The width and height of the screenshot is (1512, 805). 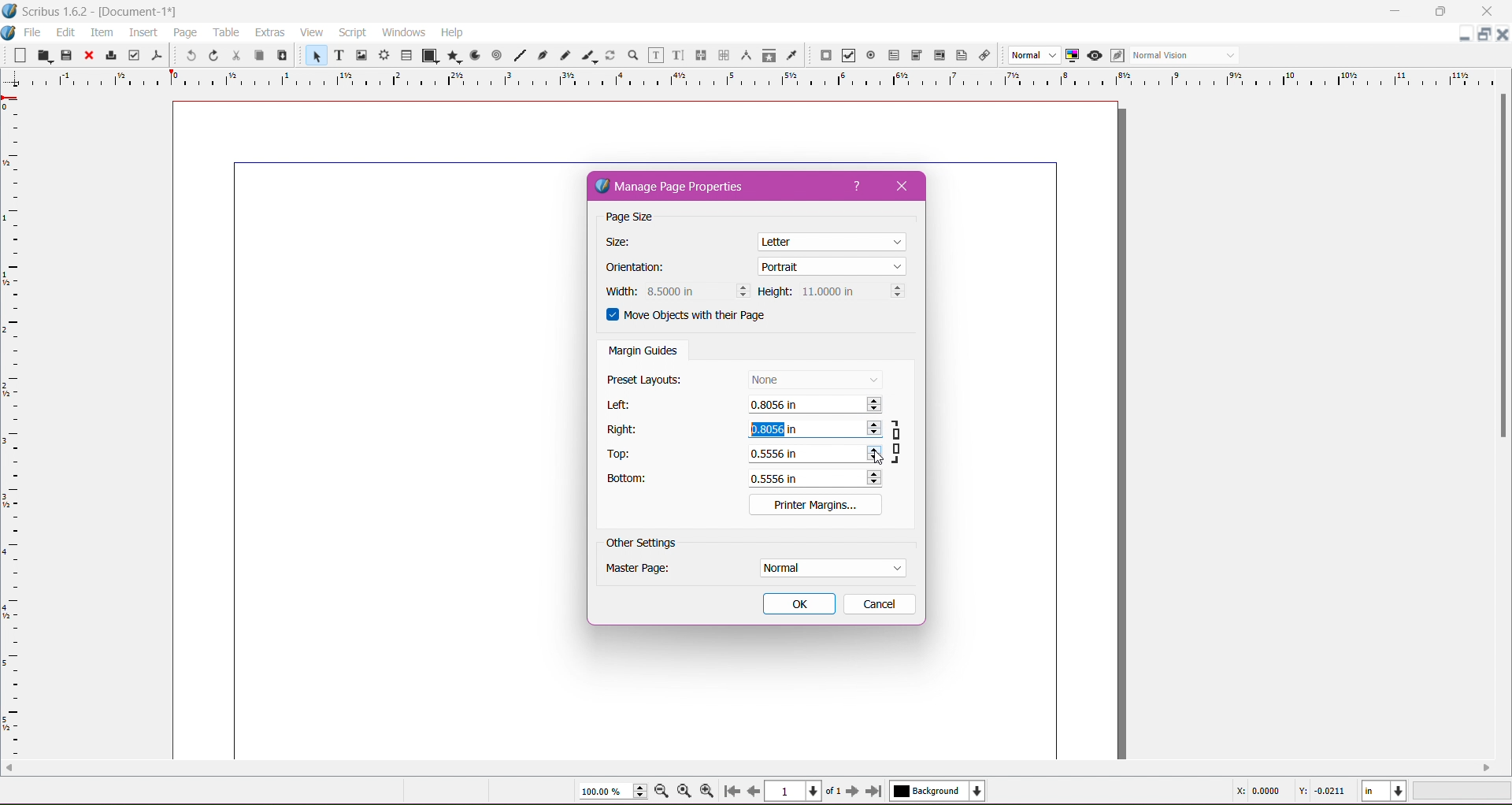 I want to click on Page, so click(x=183, y=32).